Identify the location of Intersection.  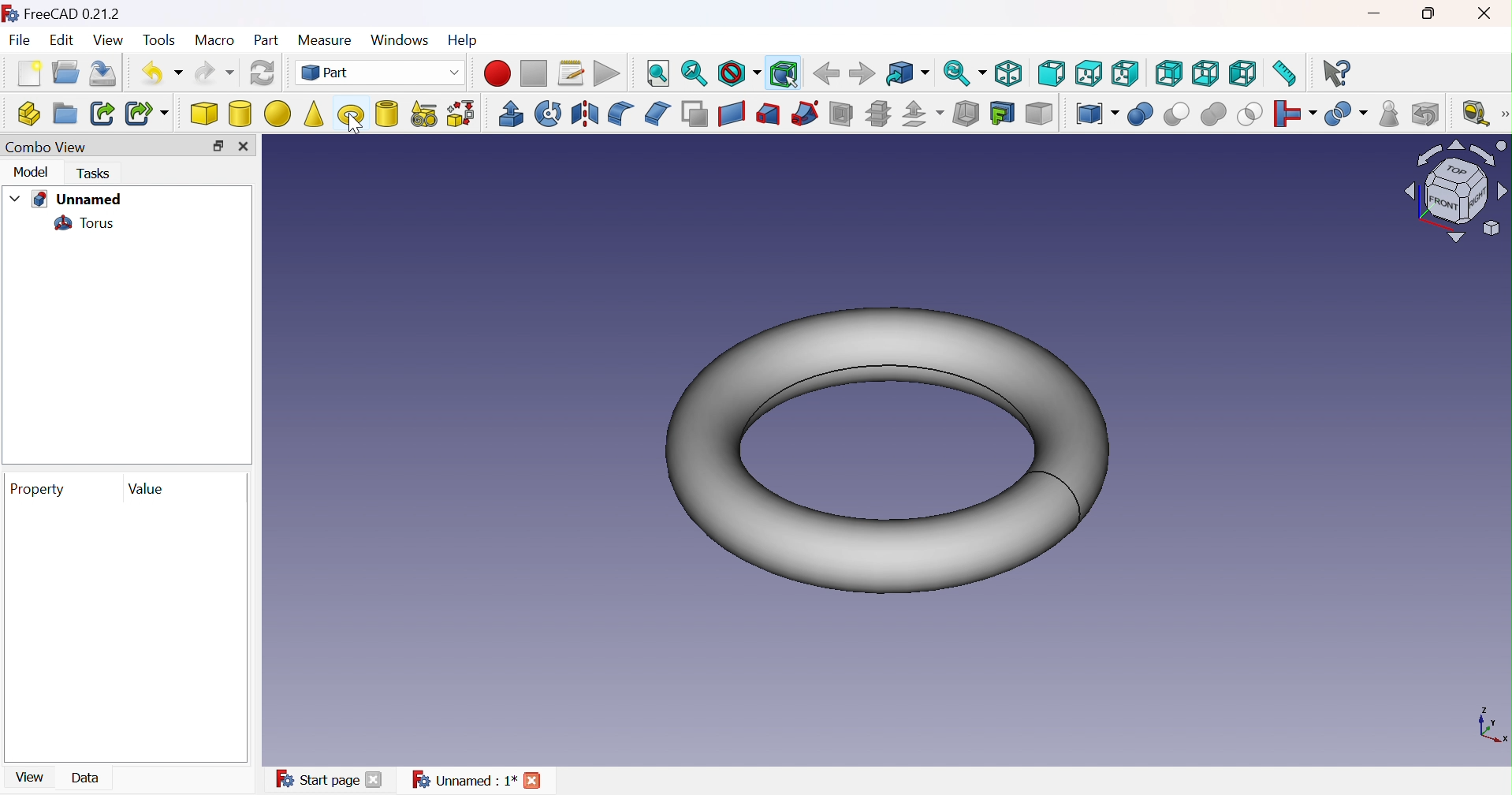
(1249, 114).